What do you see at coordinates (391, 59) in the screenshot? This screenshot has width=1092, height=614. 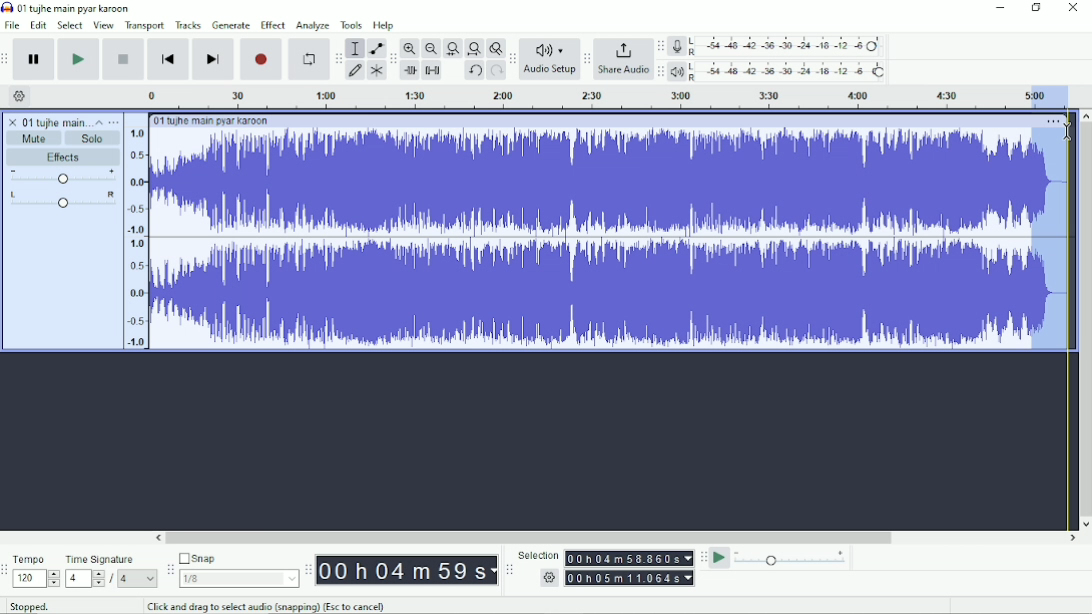 I see `Audacity edit toolbar` at bounding box center [391, 59].